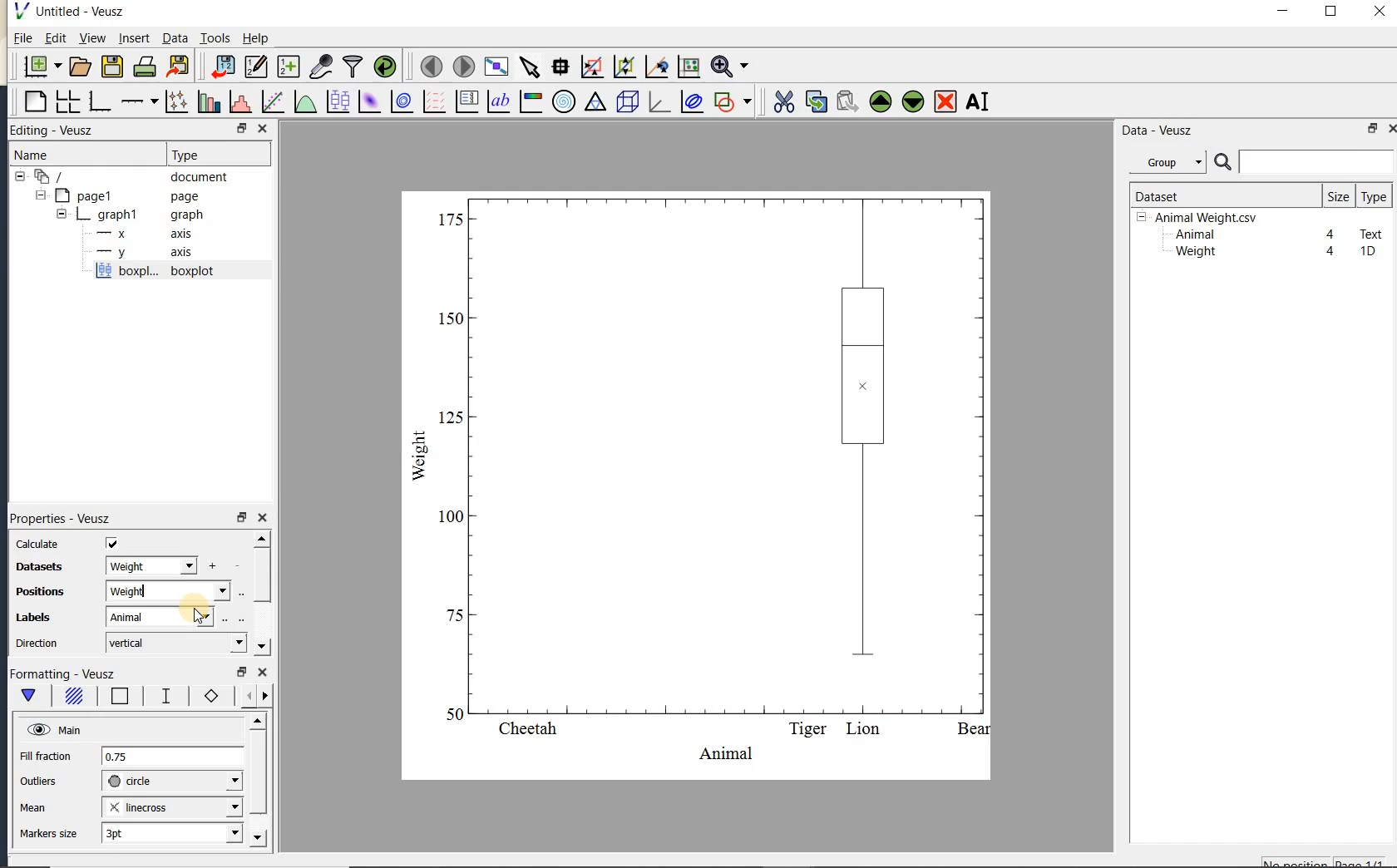 This screenshot has height=868, width=1397. What do you see at coordinates (163, 696) in the screenshot?
I see `whisker line` at bounding box center [163, 696].